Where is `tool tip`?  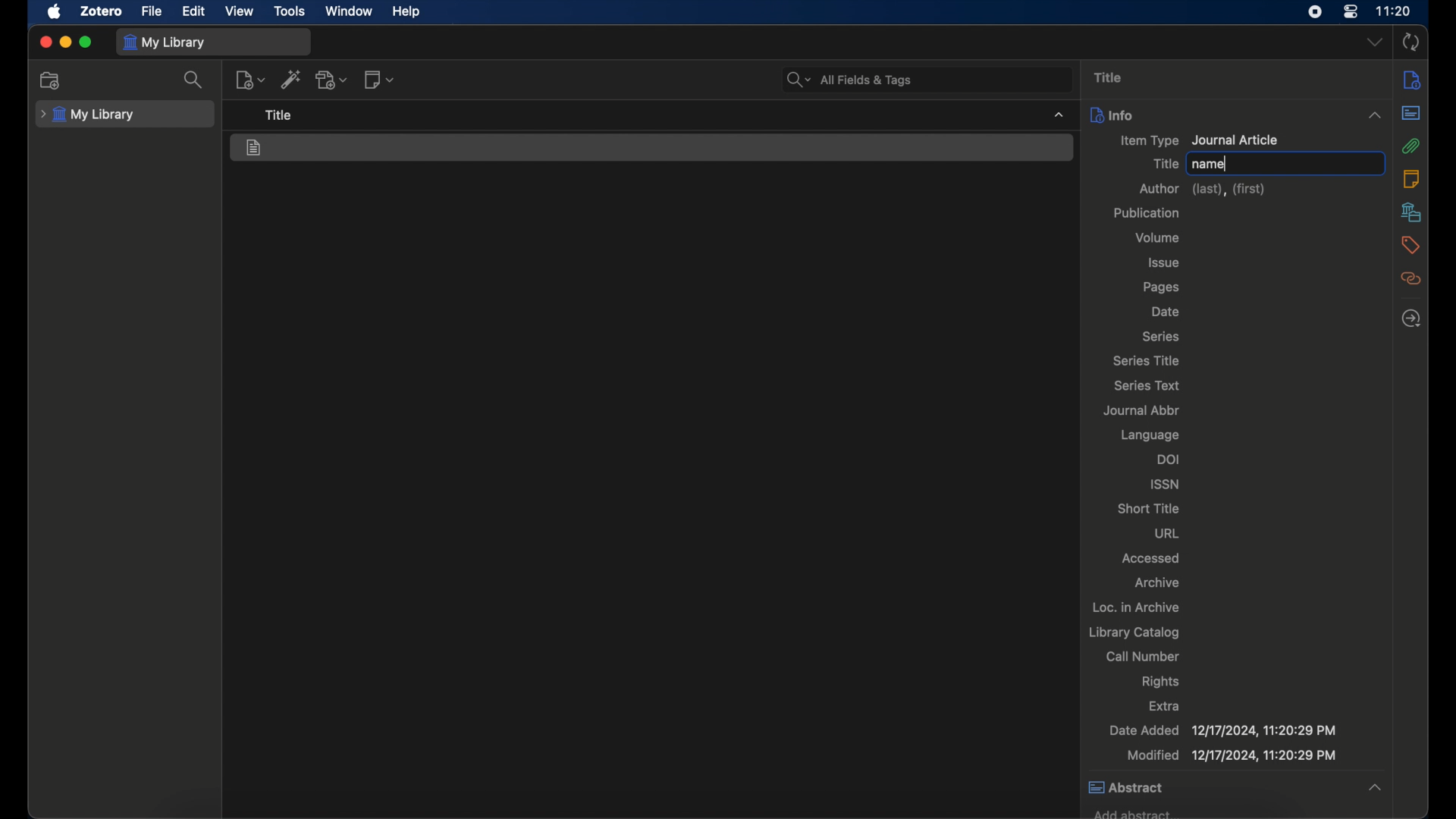
tool tip is located at coordinates (279, 115).